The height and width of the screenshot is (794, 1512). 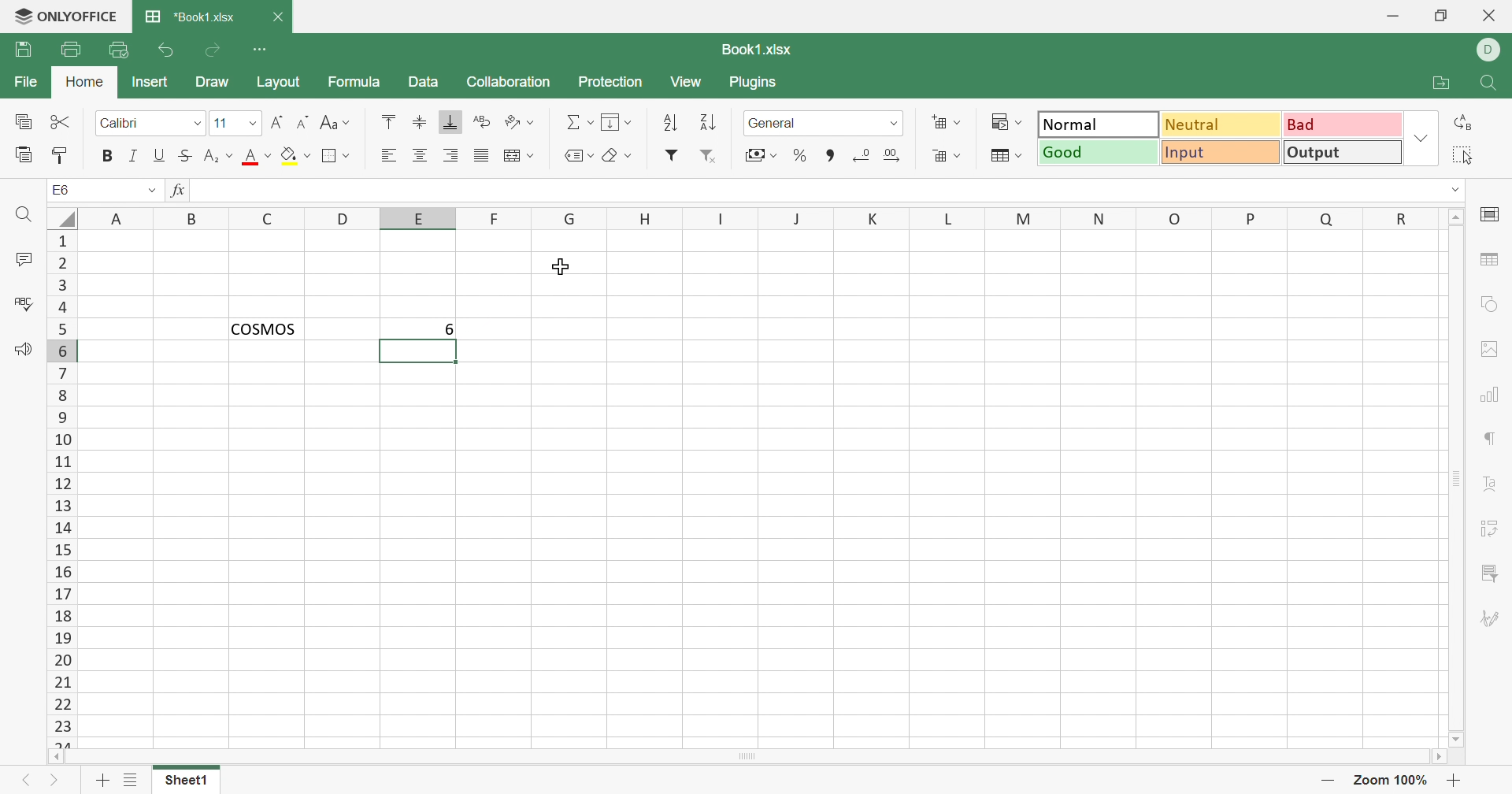 What do you see at coordinates (392, 123) in the screenshot?
I see `Align top` at bounding box center [392, 123].